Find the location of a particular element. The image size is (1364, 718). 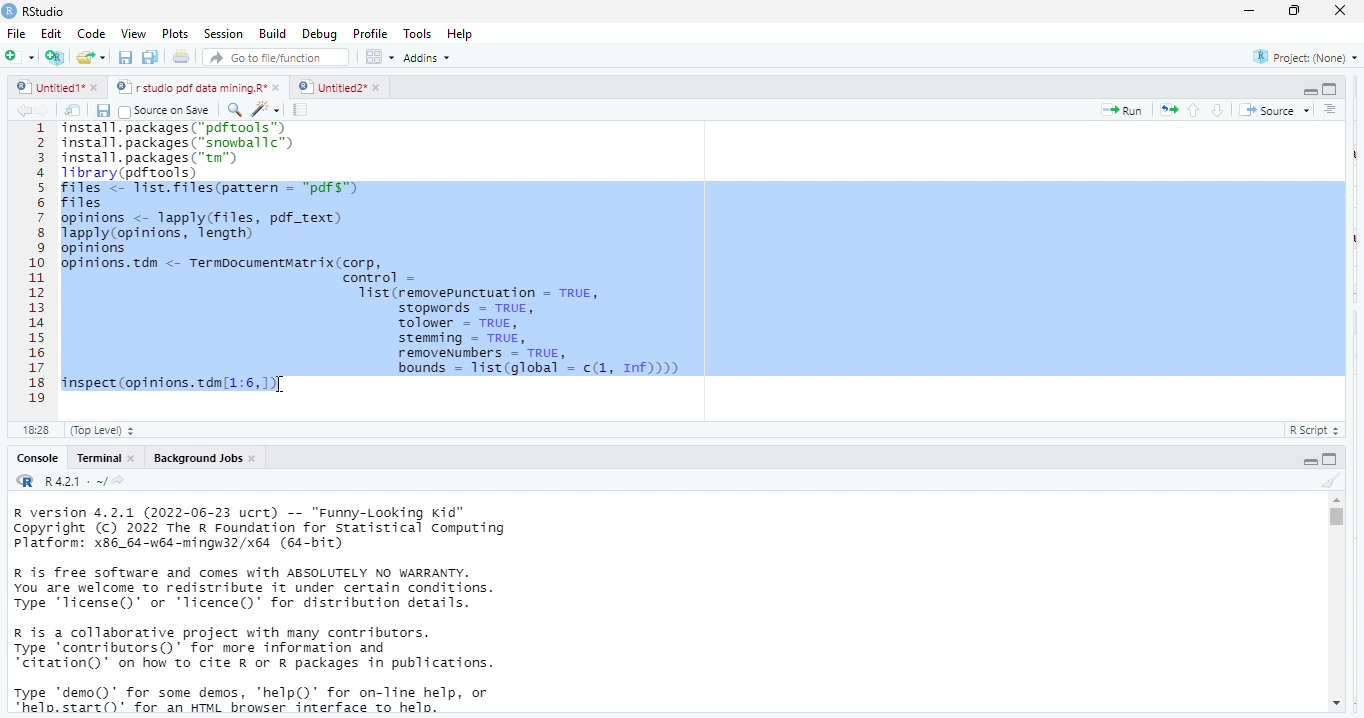

top level is located at coordinates (108, 430).